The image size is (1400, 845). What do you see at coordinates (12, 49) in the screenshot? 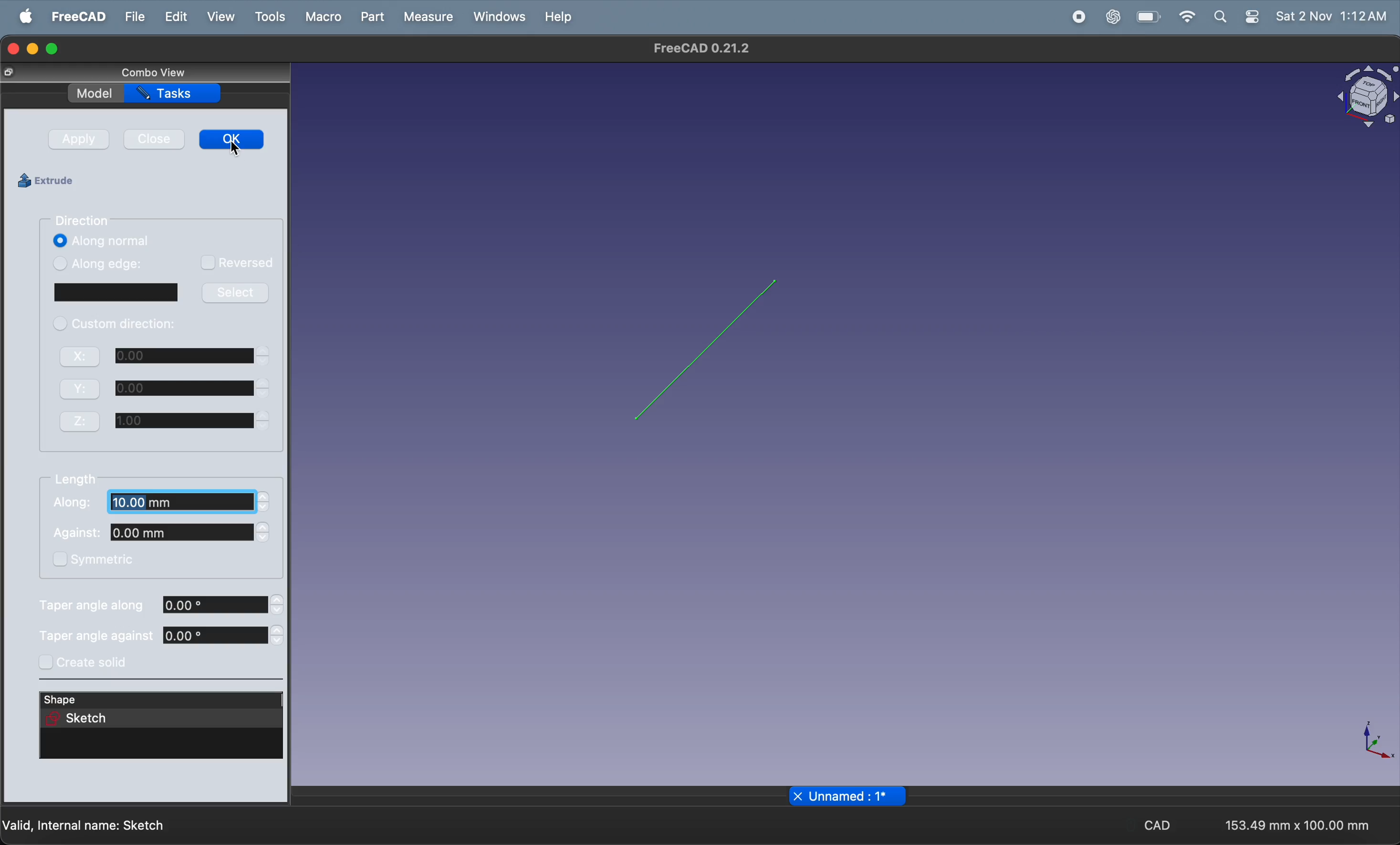
I see `closing window` at bounding box center [12, 49].